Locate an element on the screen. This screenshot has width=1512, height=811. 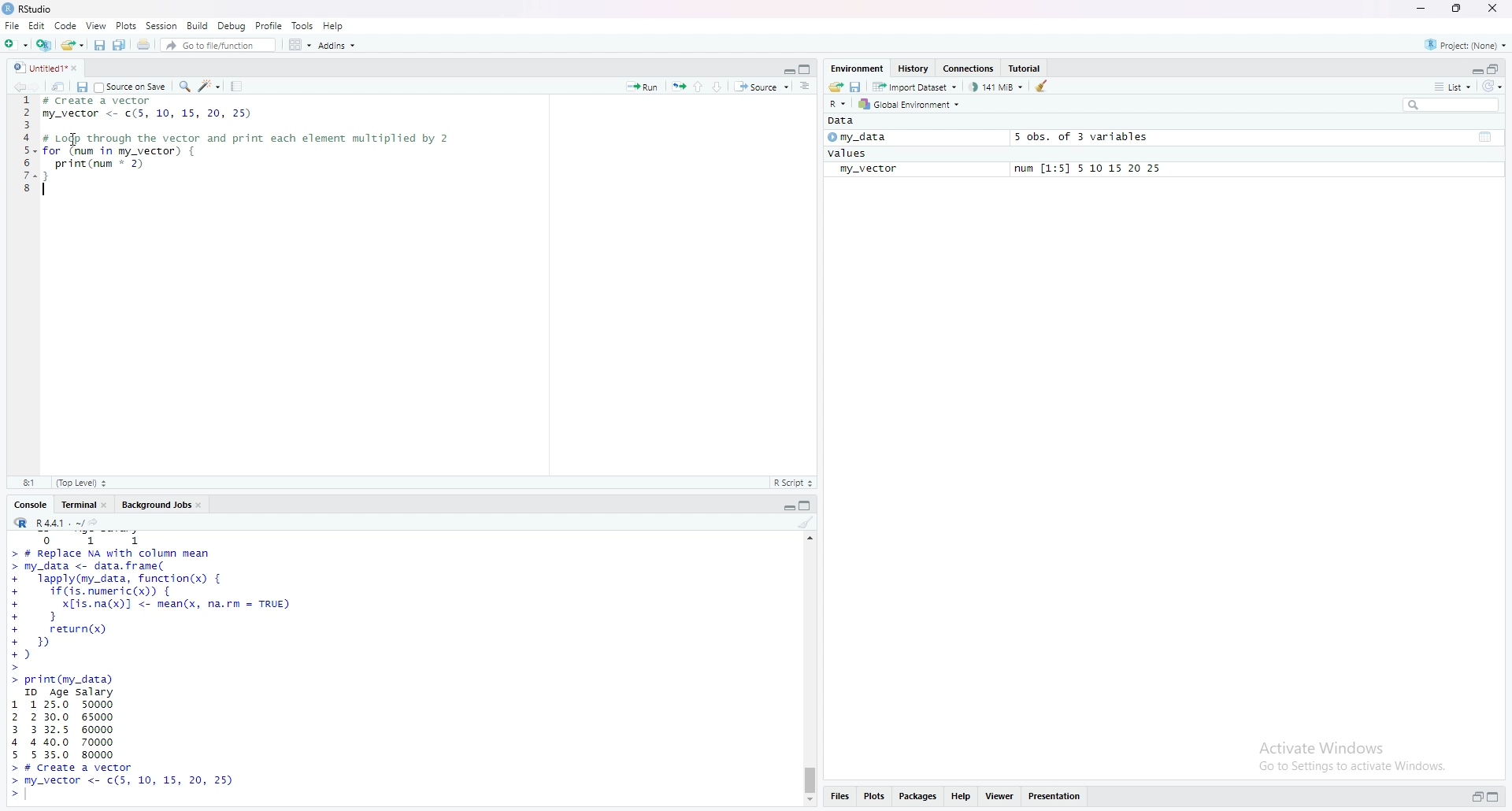
5 obs. of 3 variables is located at coordinates (1081, 137).